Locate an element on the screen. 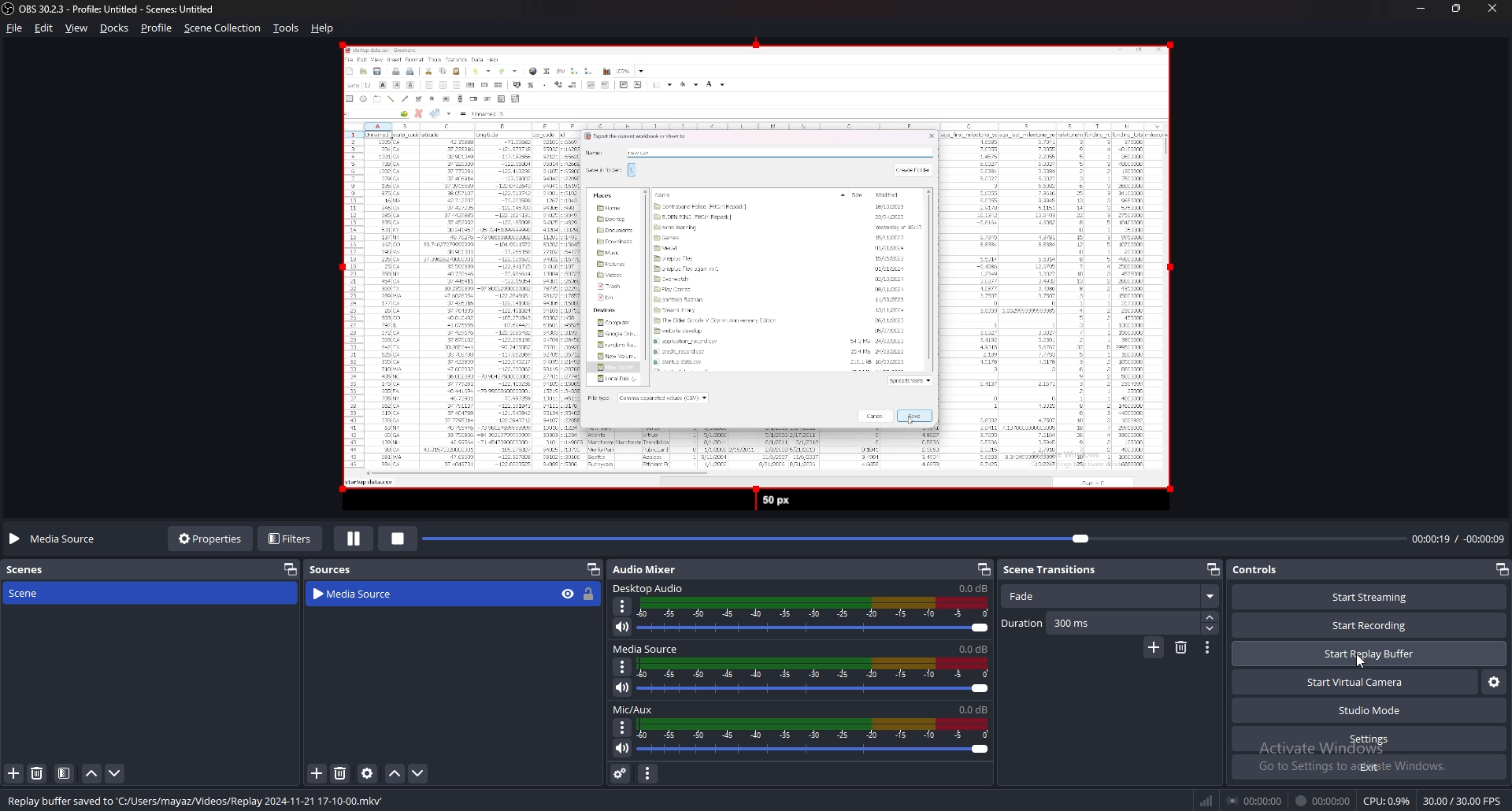 The width and height of the screenshot is (1512, 811). exit is located at coordinates (1368, 766).